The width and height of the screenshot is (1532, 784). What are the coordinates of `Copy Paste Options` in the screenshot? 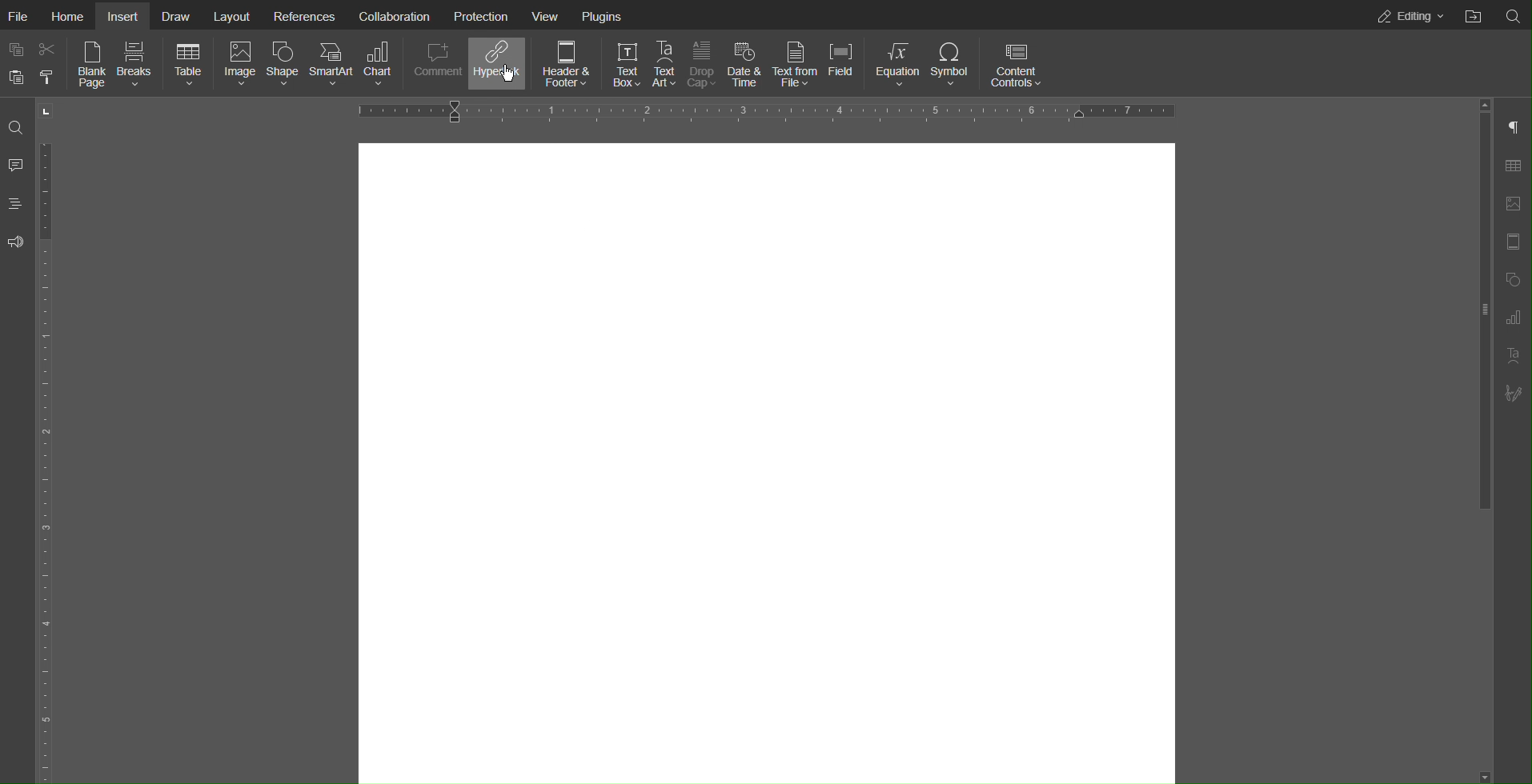 It's located at (30, 64).